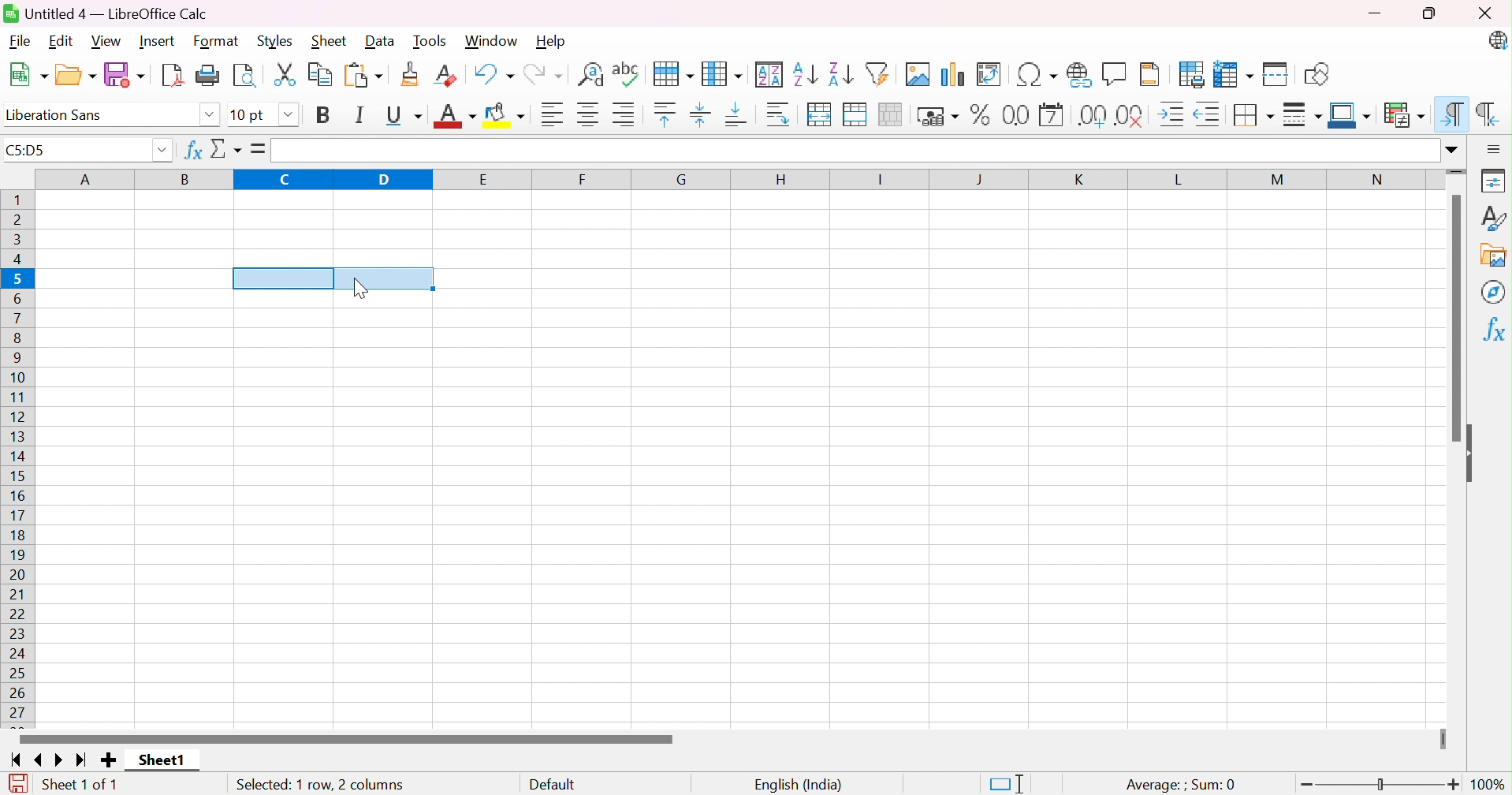 Image resolution: width=1512 pixels, height=795 pixels. Describe the element at coordinates (736, 180) in the screenshot. I see `Column Name` at that location.